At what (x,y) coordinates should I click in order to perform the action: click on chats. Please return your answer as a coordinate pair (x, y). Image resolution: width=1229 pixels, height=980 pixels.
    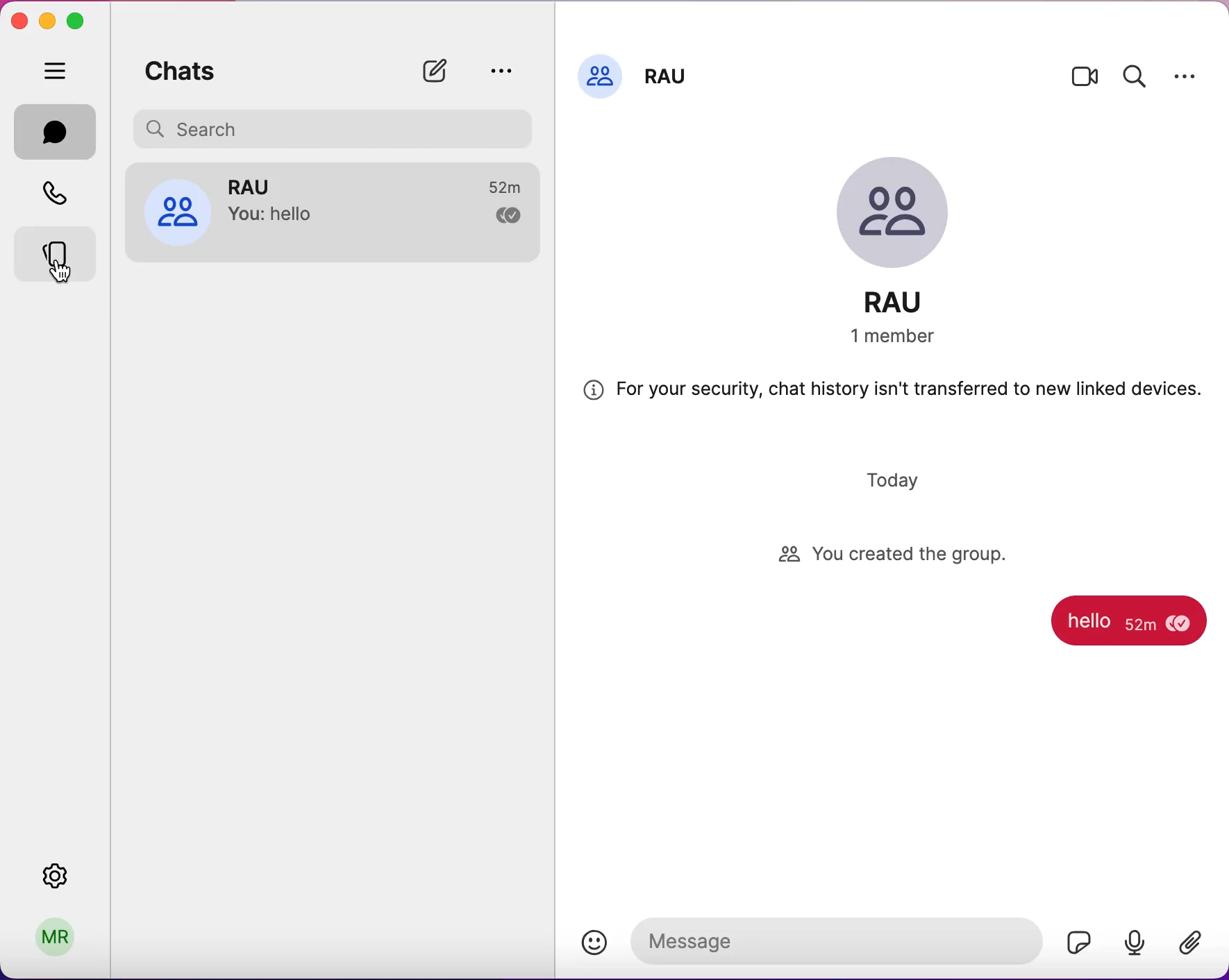
    Looking at the image, I should click on (194, 71).